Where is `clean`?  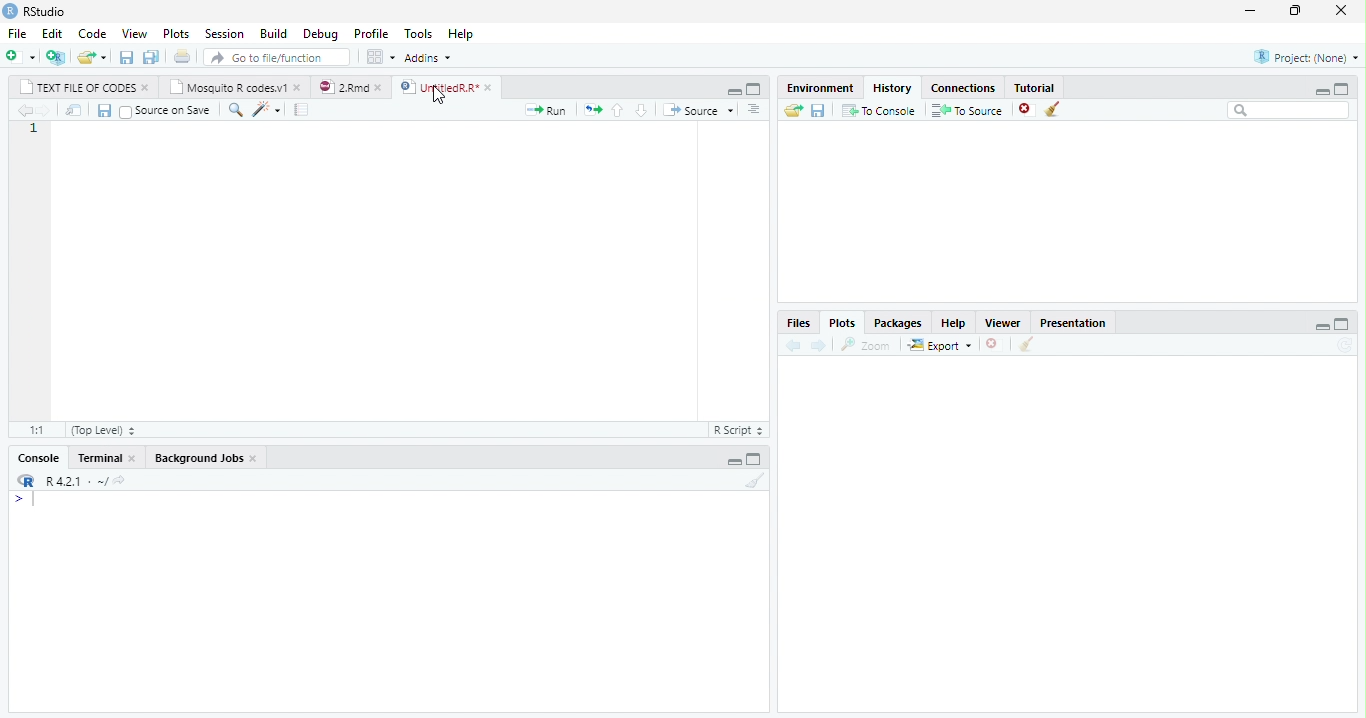 clean is located at coordinates (1029, 345).